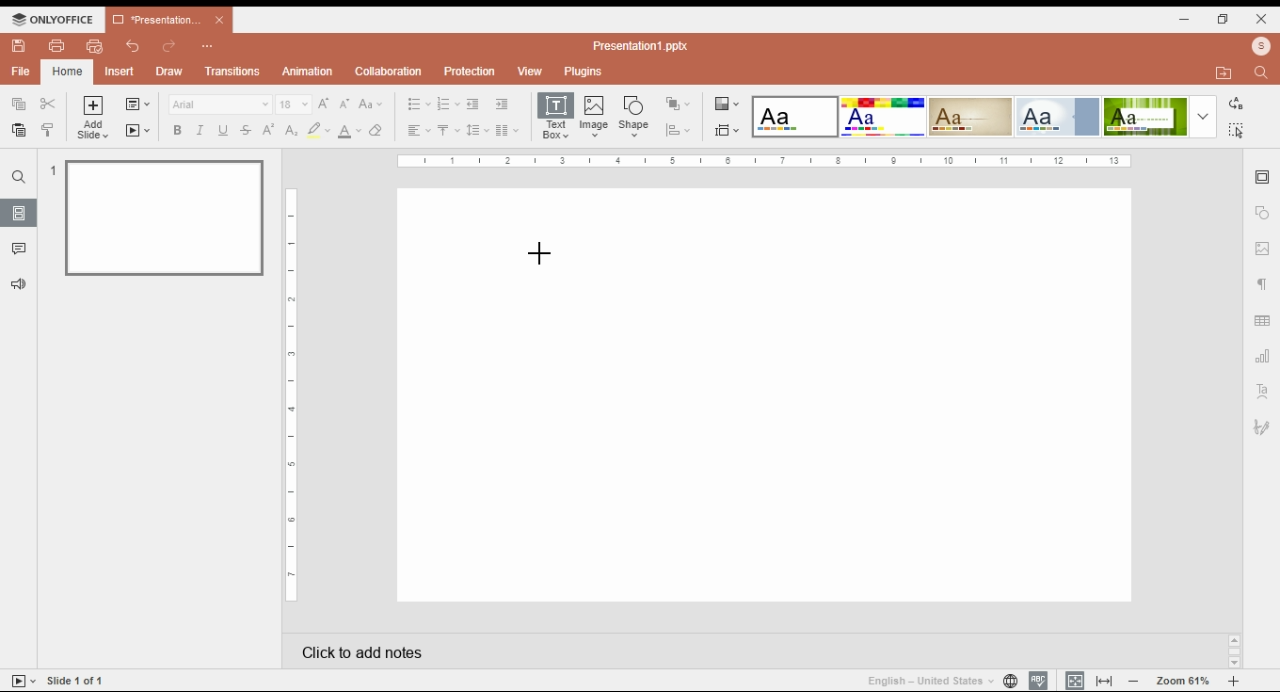 The image size is (1280, 692). Describe the element at coordinates (233, 73) in the screenshot. I see `transitions` at that location.